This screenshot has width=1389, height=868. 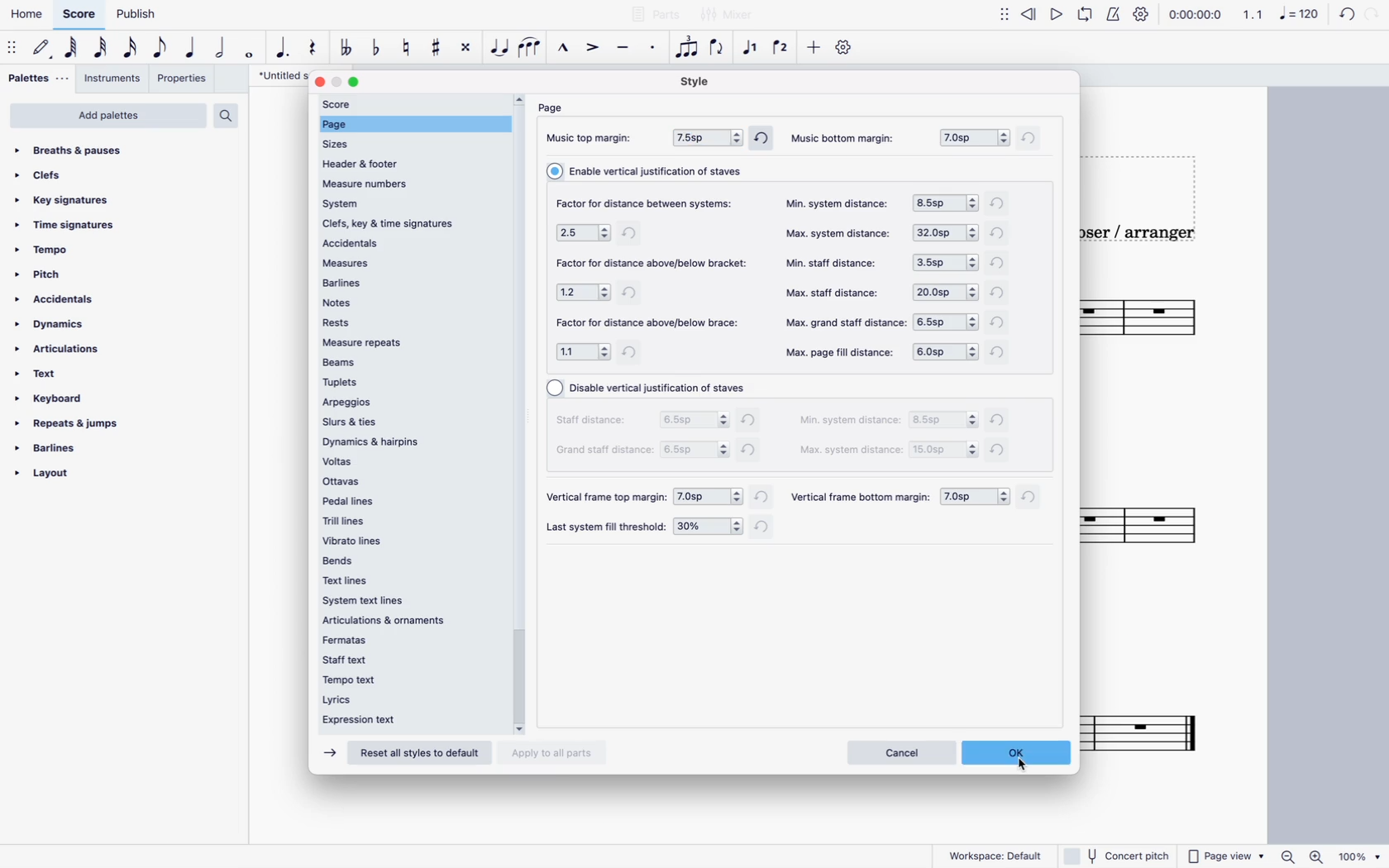 What do you see at coordinates (532, 51) in the screenshot?
I see `slur` at bounding box center [532, 51].